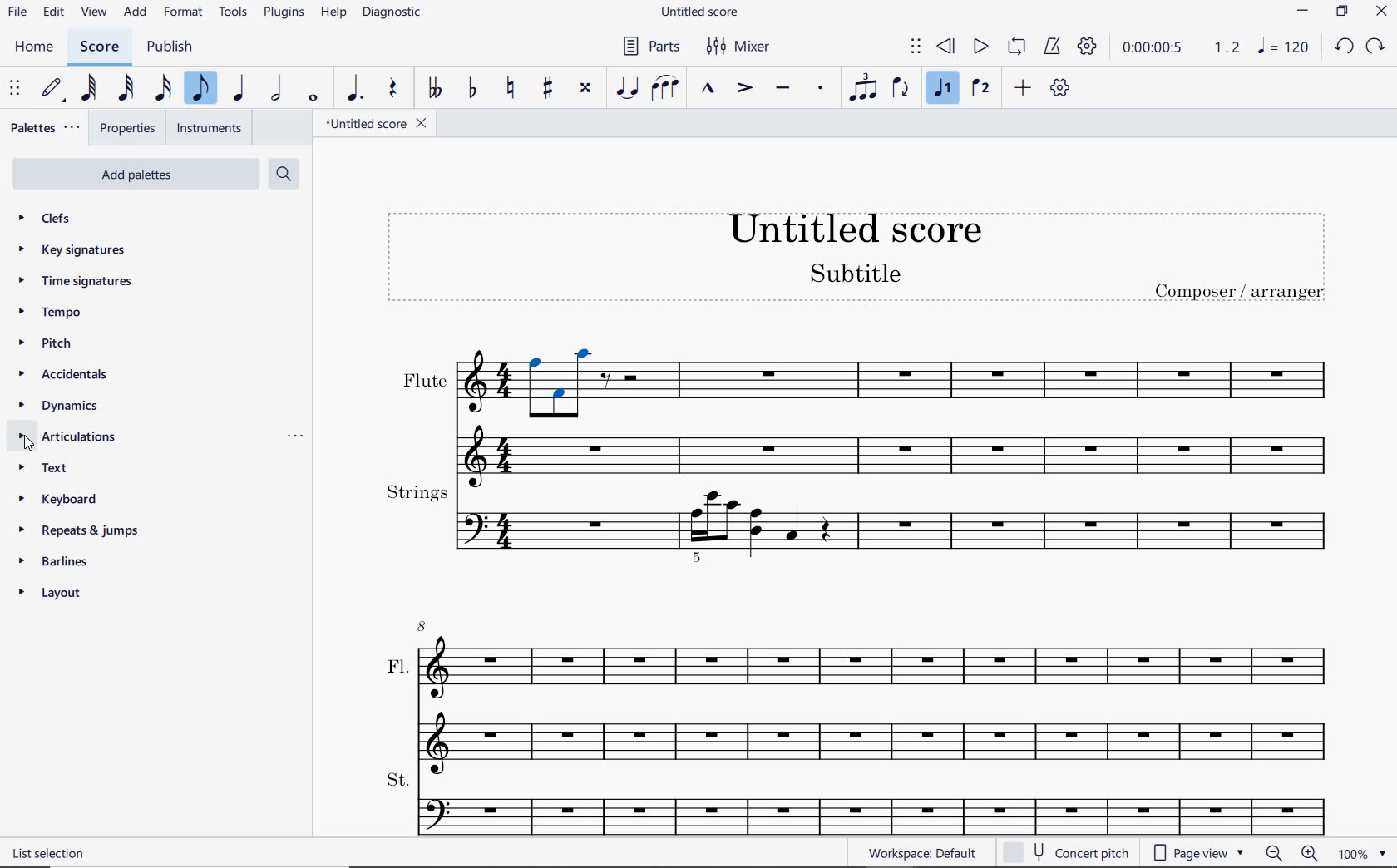  Describe the element at coordinates (285, 14) in the screenshot. I see `PLUGINS` at that location.